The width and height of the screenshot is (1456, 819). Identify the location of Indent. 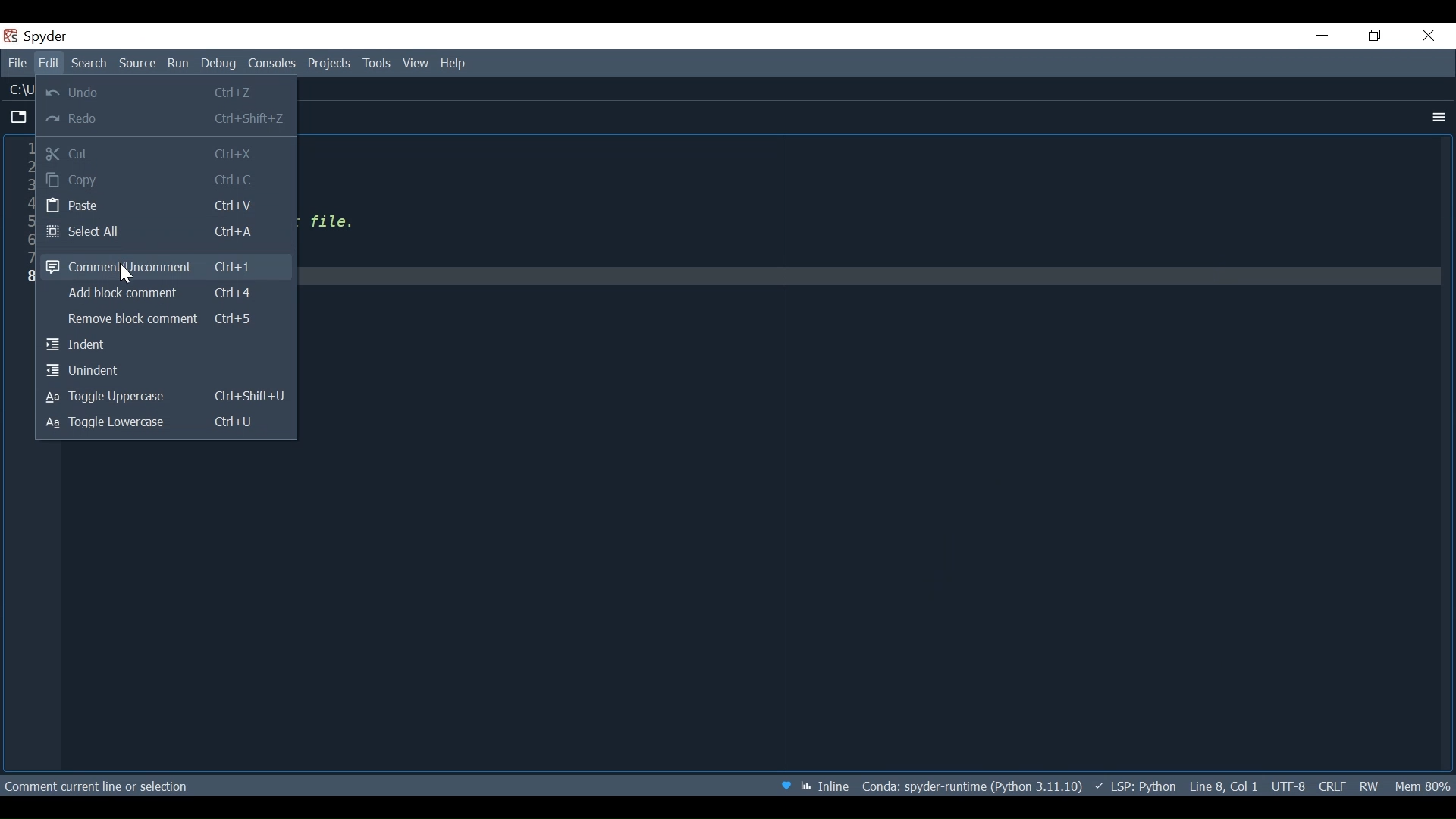
(165, 347).